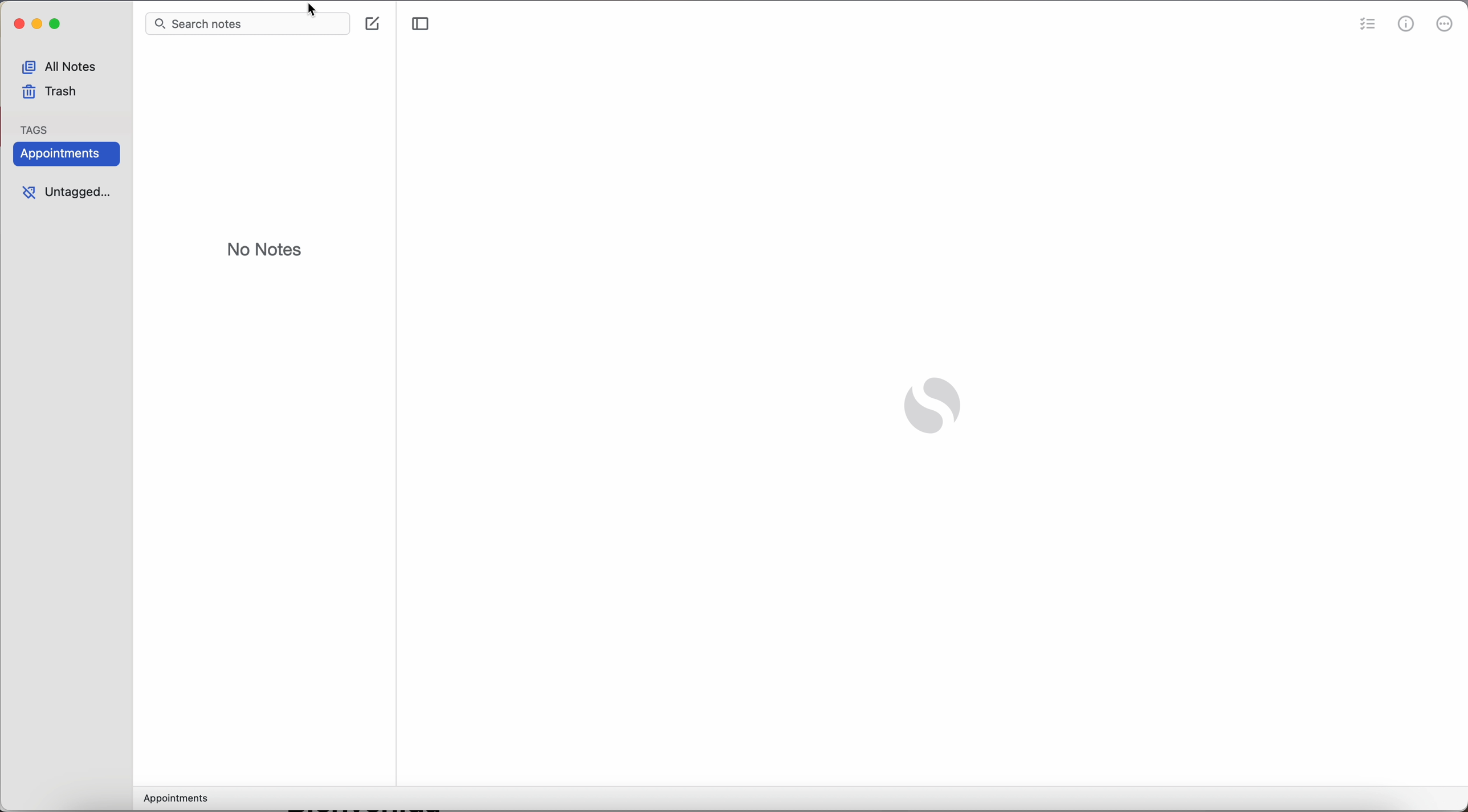 The width and height of the screenshot is (1468, 812). What do you see at coordinates (374, 24) in the screenshot?
I see `create note` at bounding box center [374, 24].